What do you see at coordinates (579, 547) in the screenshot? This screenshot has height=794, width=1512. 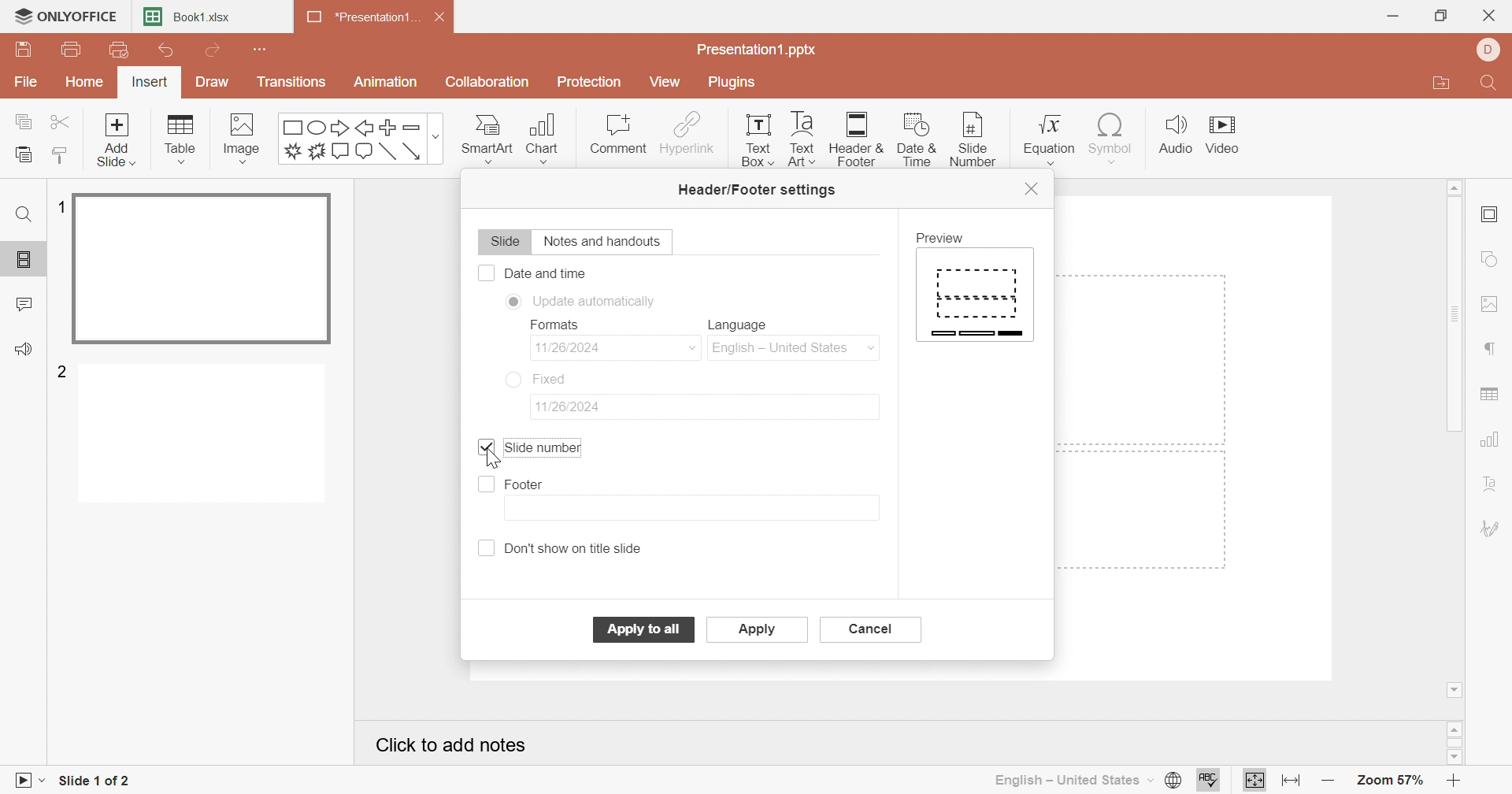 I see `Don't show on title slide` at bounding box center [579, 547].